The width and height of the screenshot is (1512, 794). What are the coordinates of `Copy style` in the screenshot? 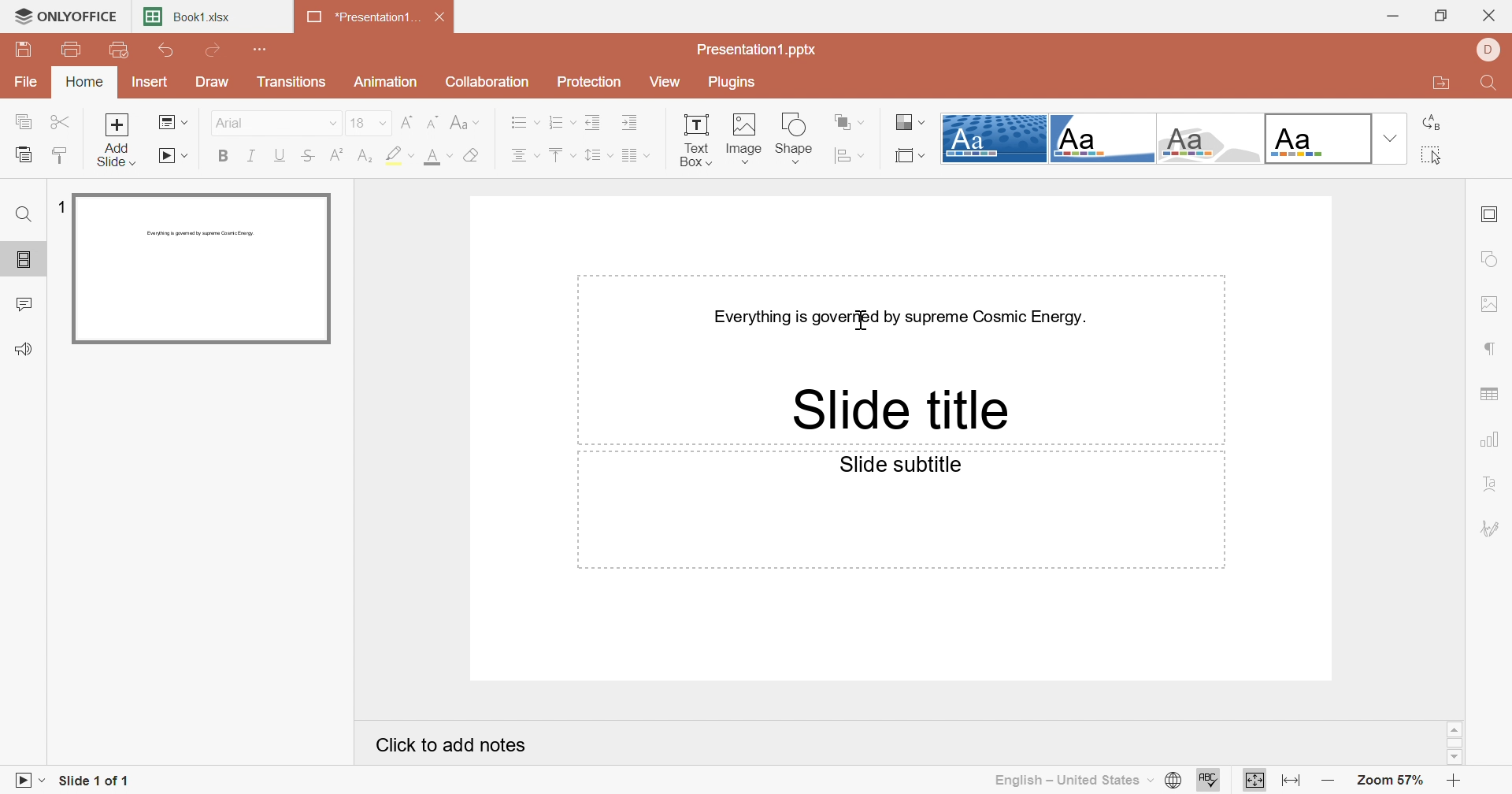 It's located at (61, 155).